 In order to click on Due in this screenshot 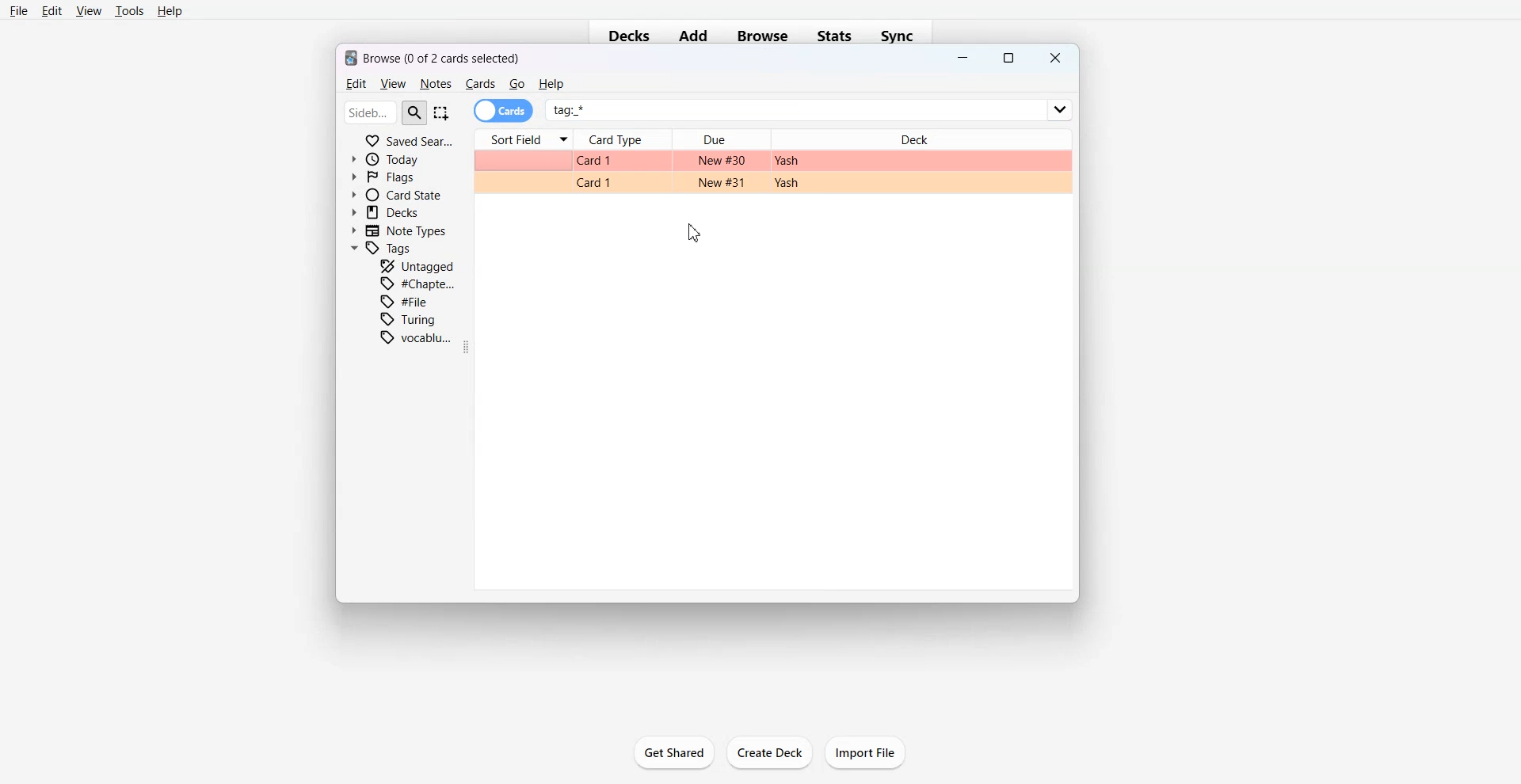, I will do `click(722, 139)`.